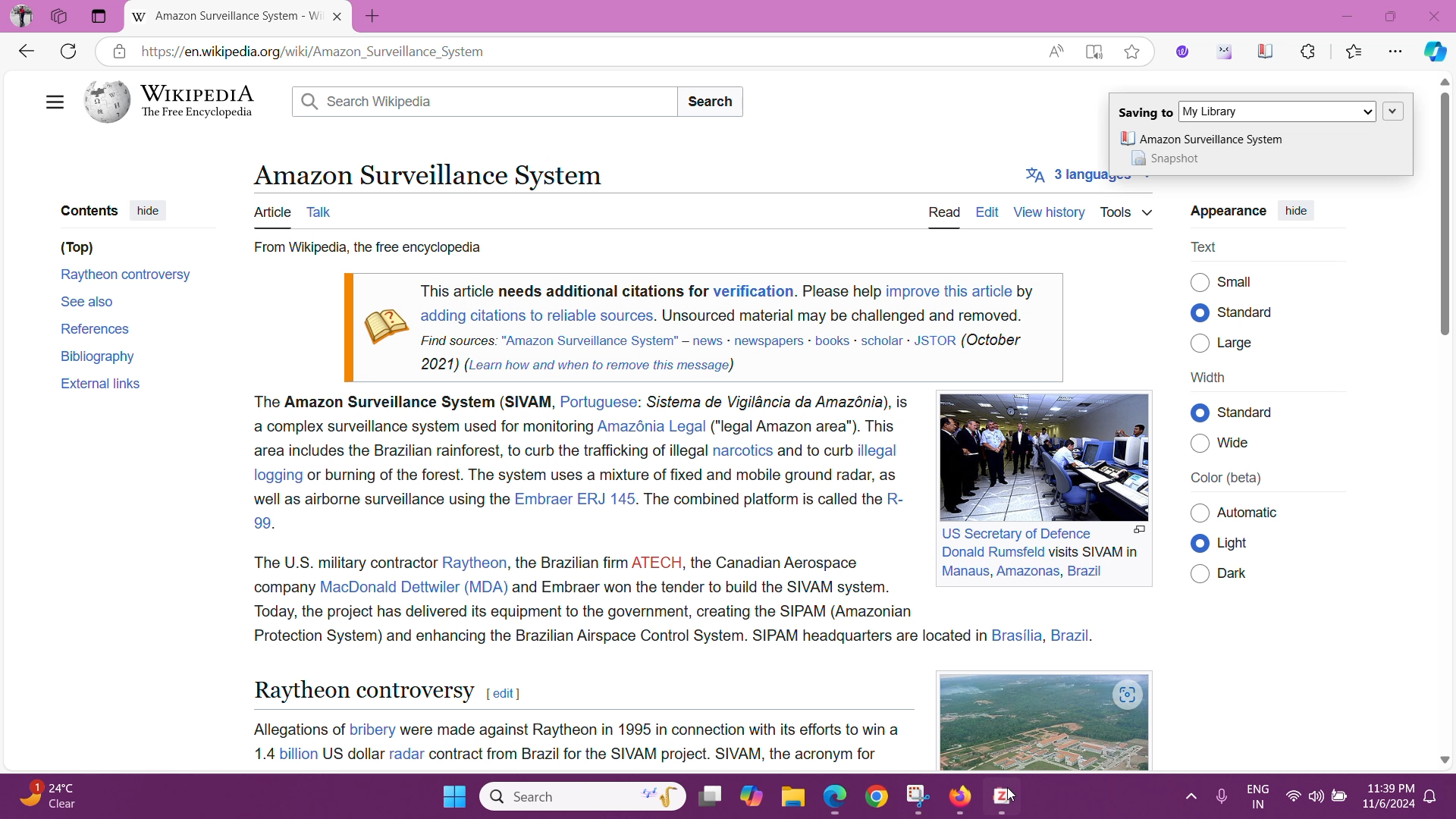 The width and height of the screenshot is (1456, 819). I want to click on References, so click(94, 328).